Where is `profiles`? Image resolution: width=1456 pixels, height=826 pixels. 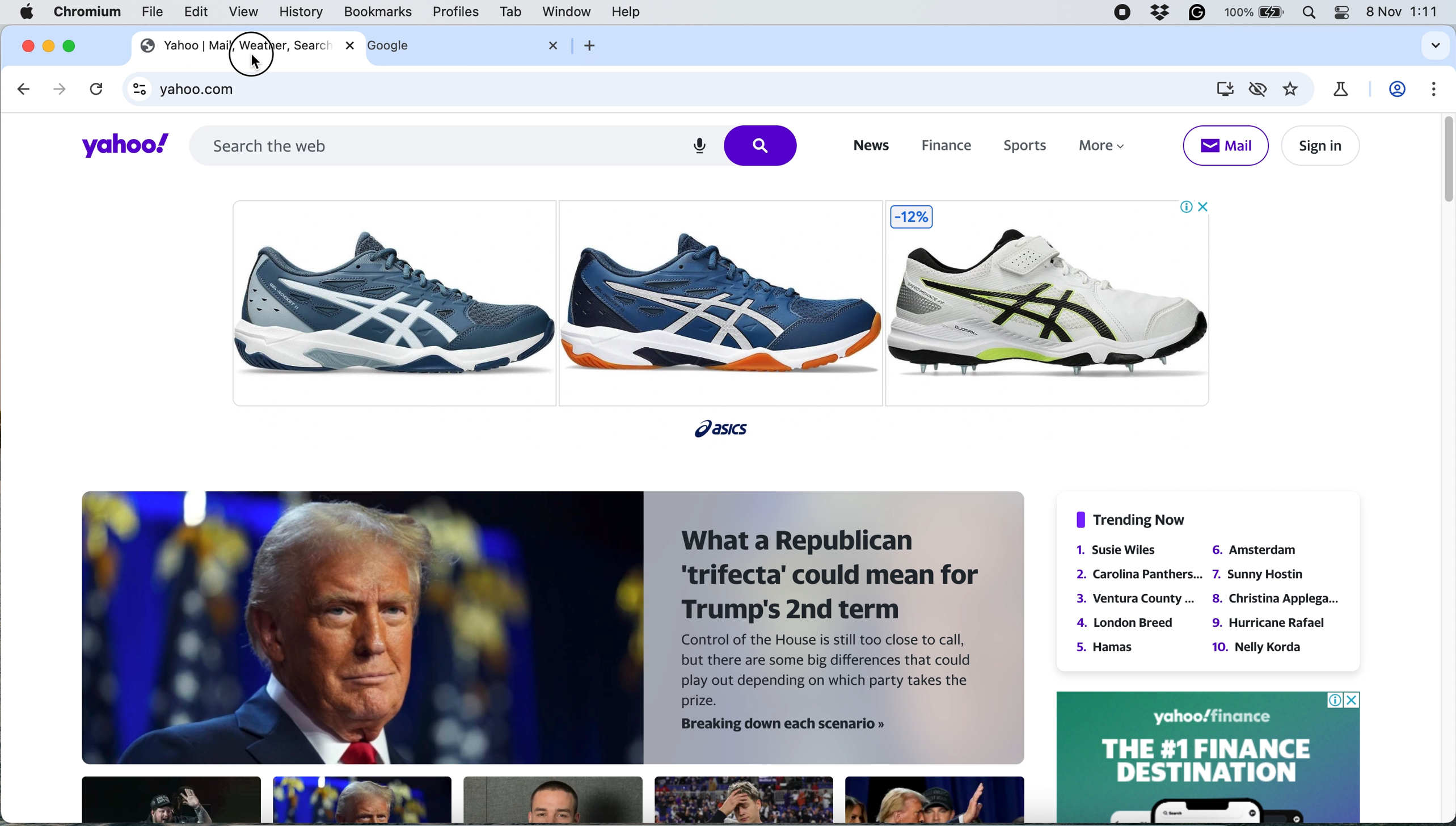 profiles is located at coordinates (457, 12).